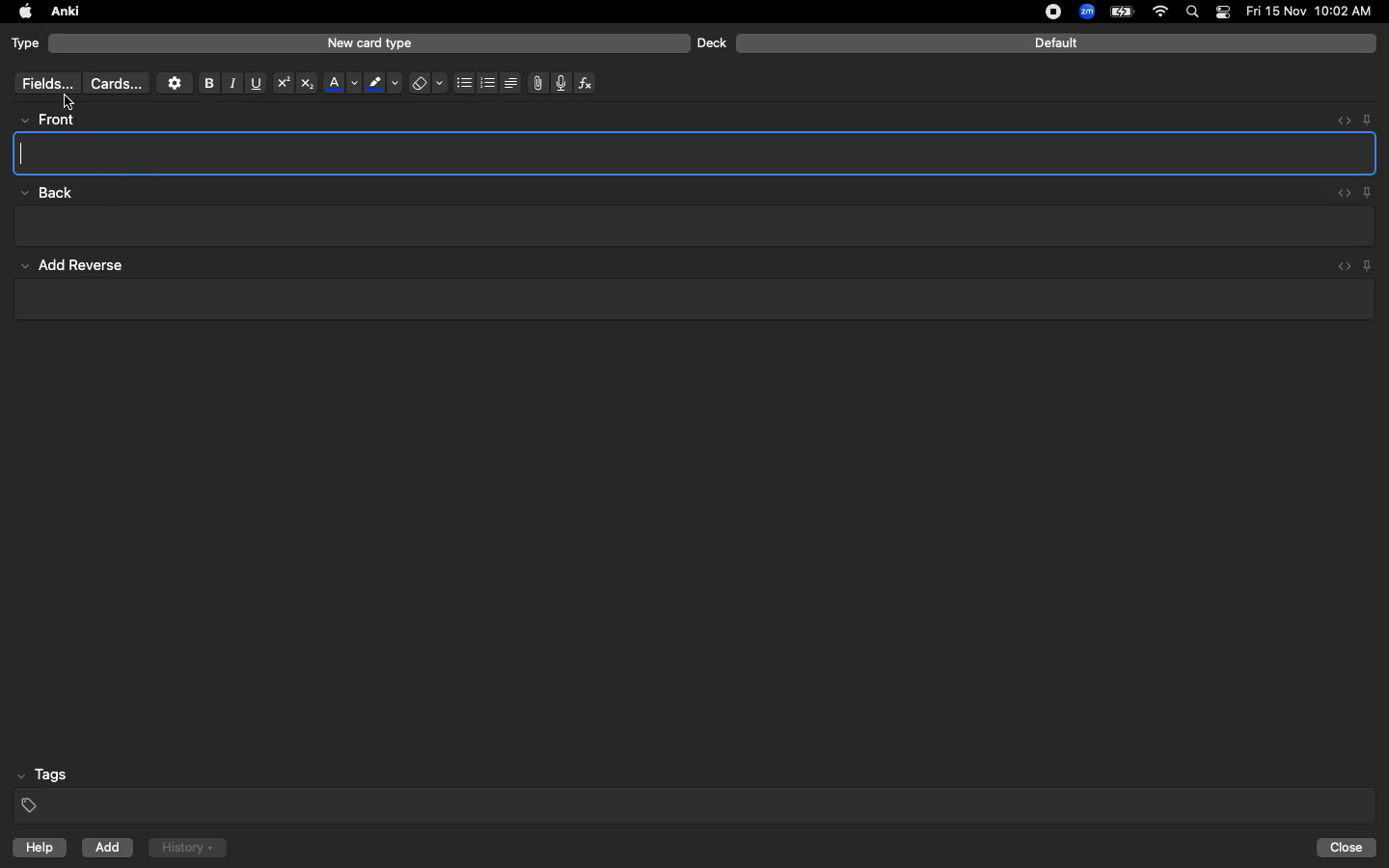 Image resolution: width=1389 pixels, height=868 pixels. What do you see at coordinates (534, 83) in the screenshot?
I see `File` at bounding box center [534, 83].